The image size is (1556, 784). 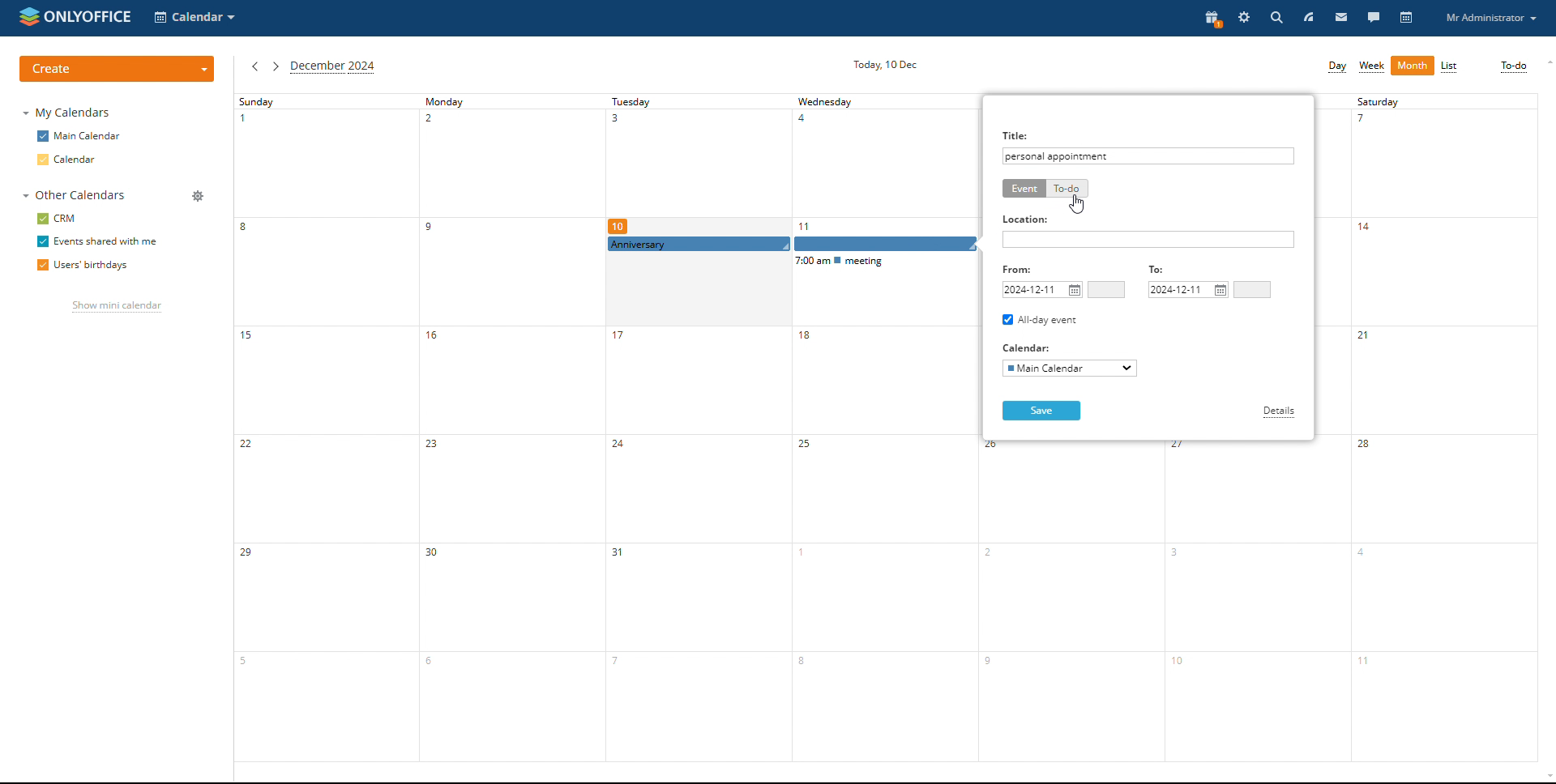 What do you see at coordinates (276, 66) in the screenshot?
I see `next month` at bounding box center [276, 66].